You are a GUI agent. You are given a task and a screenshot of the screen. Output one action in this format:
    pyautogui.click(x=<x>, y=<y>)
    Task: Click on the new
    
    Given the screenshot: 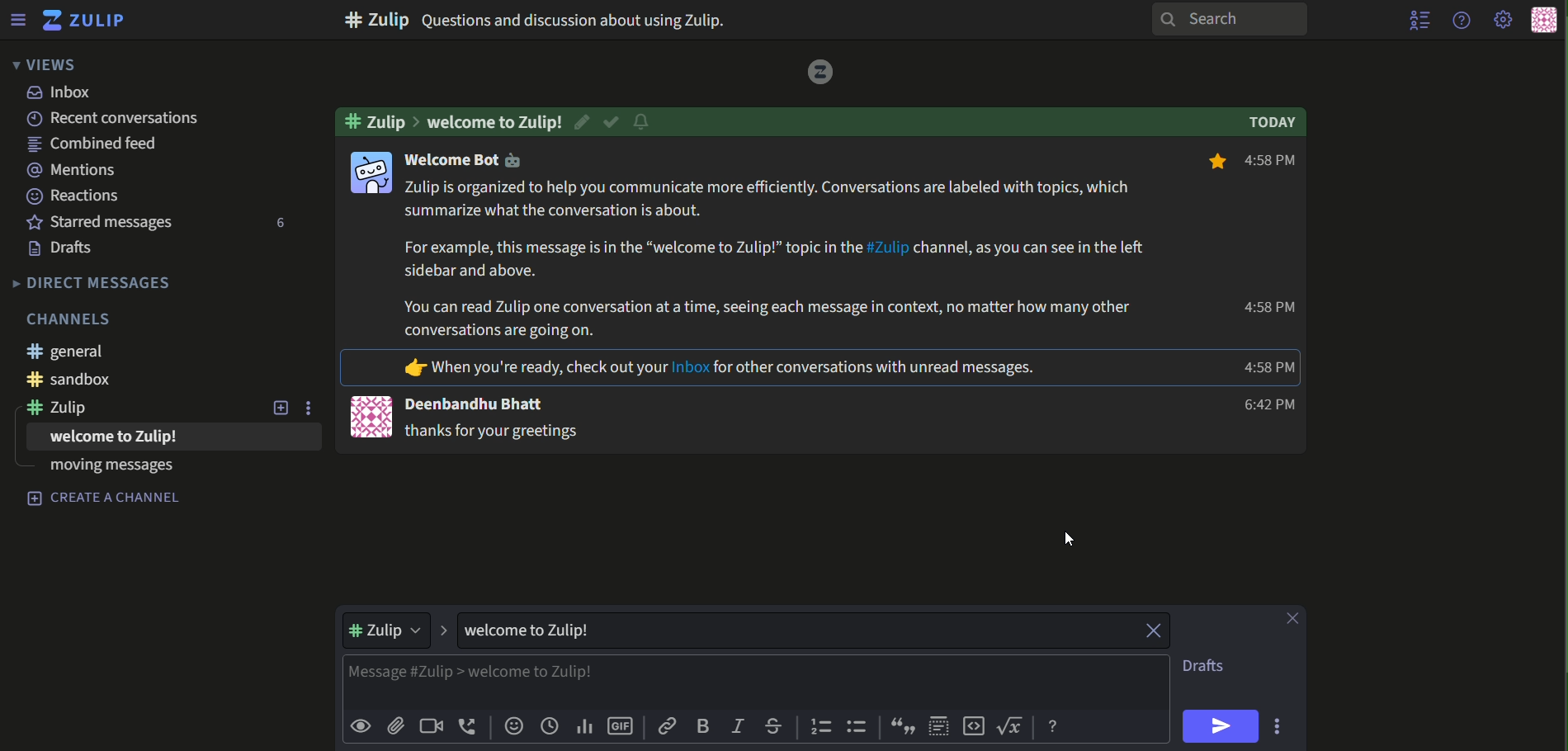 What is the action you would take?
    pyautogui.click(x=281, y=409)
    